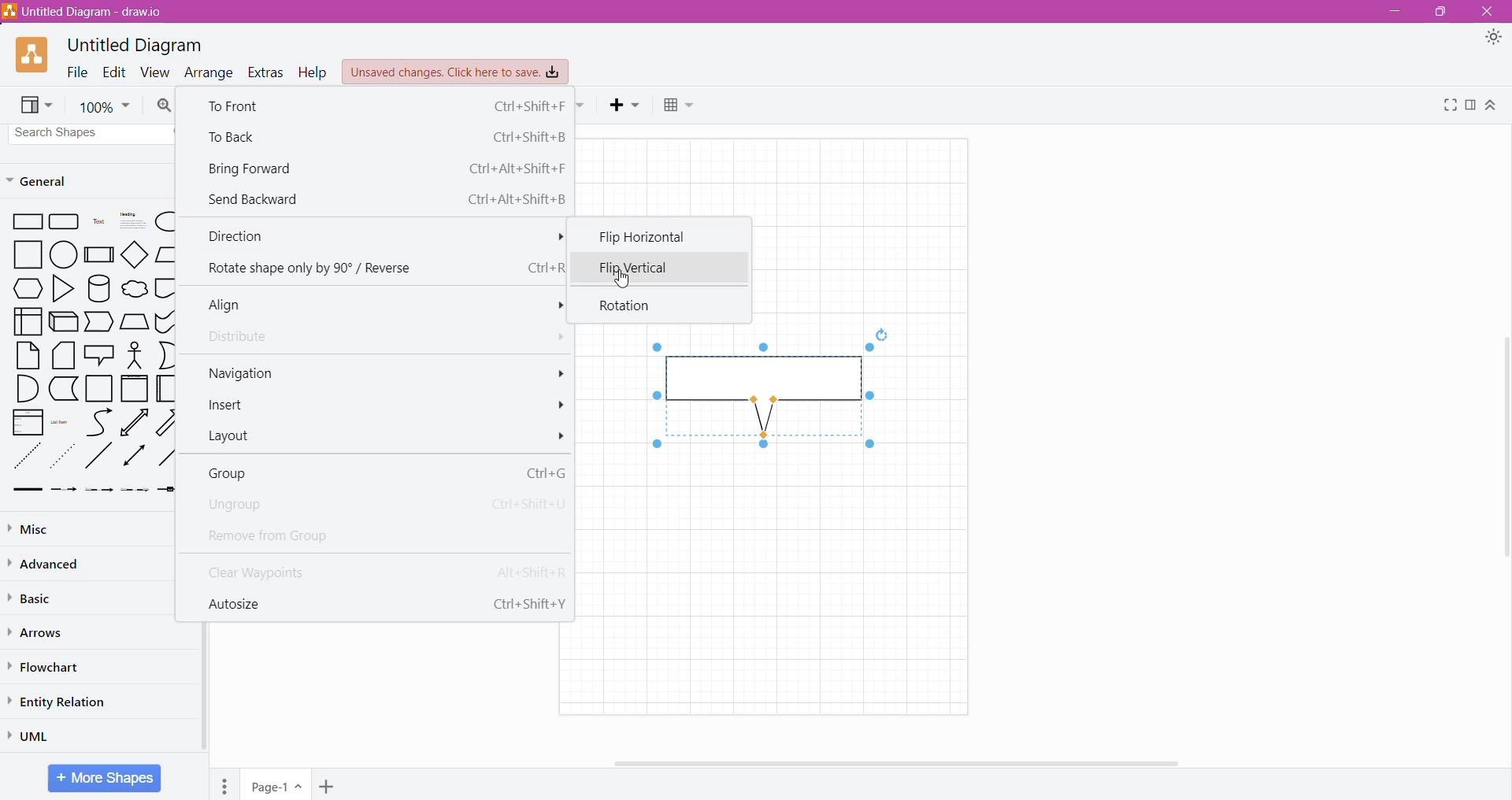  What do you see at coordinates (381, 269) in the screenshot?
I see `Rotate shape by only 90 degrees/Reverse` at bounding box center [381, 269].